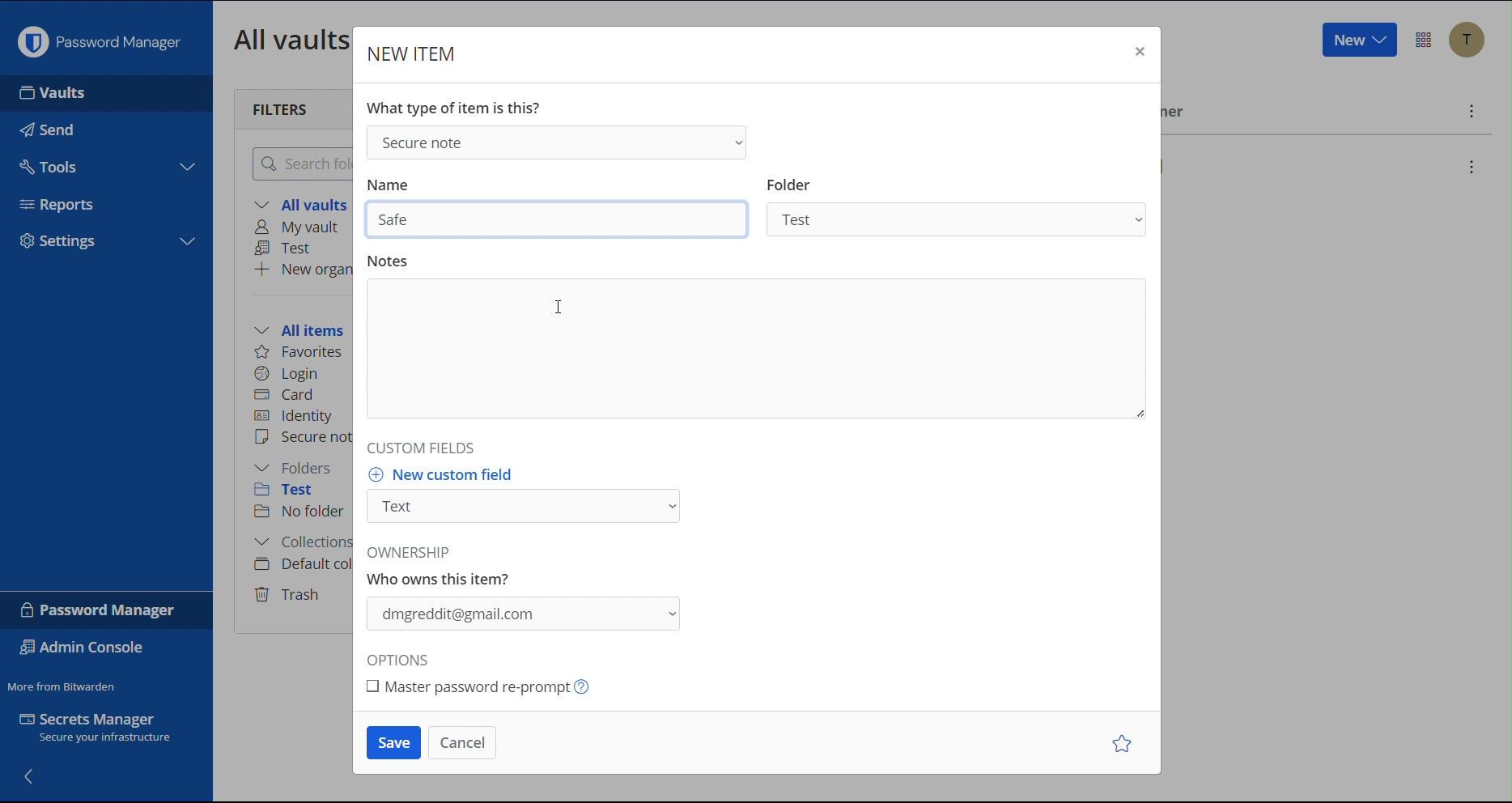  Describe the element at coordinates (300, 564) in the screenshot. I see `Default collection` at that location.